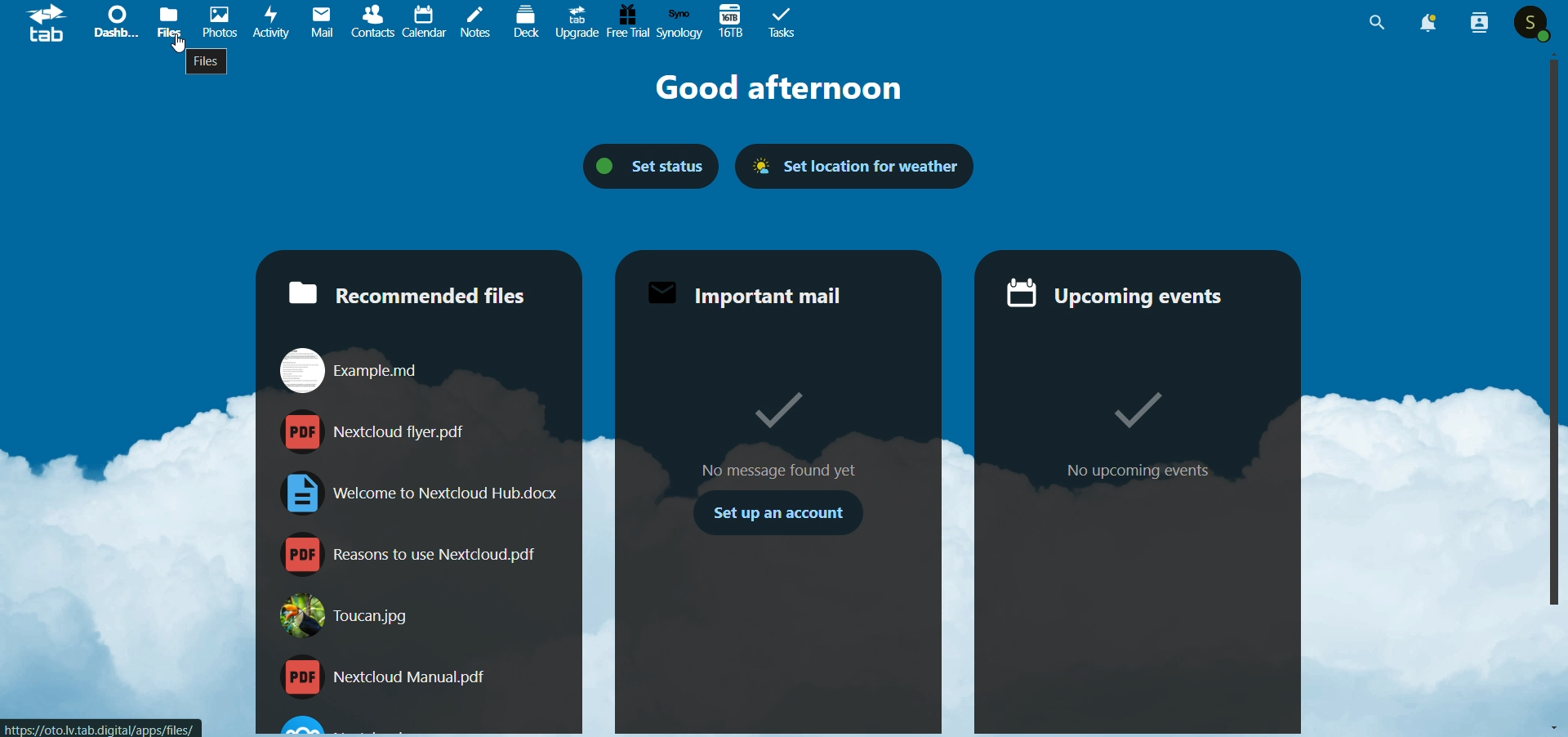 This screenshot has height=737, width=1568. I want to click on upgrade, so click(574, 22).